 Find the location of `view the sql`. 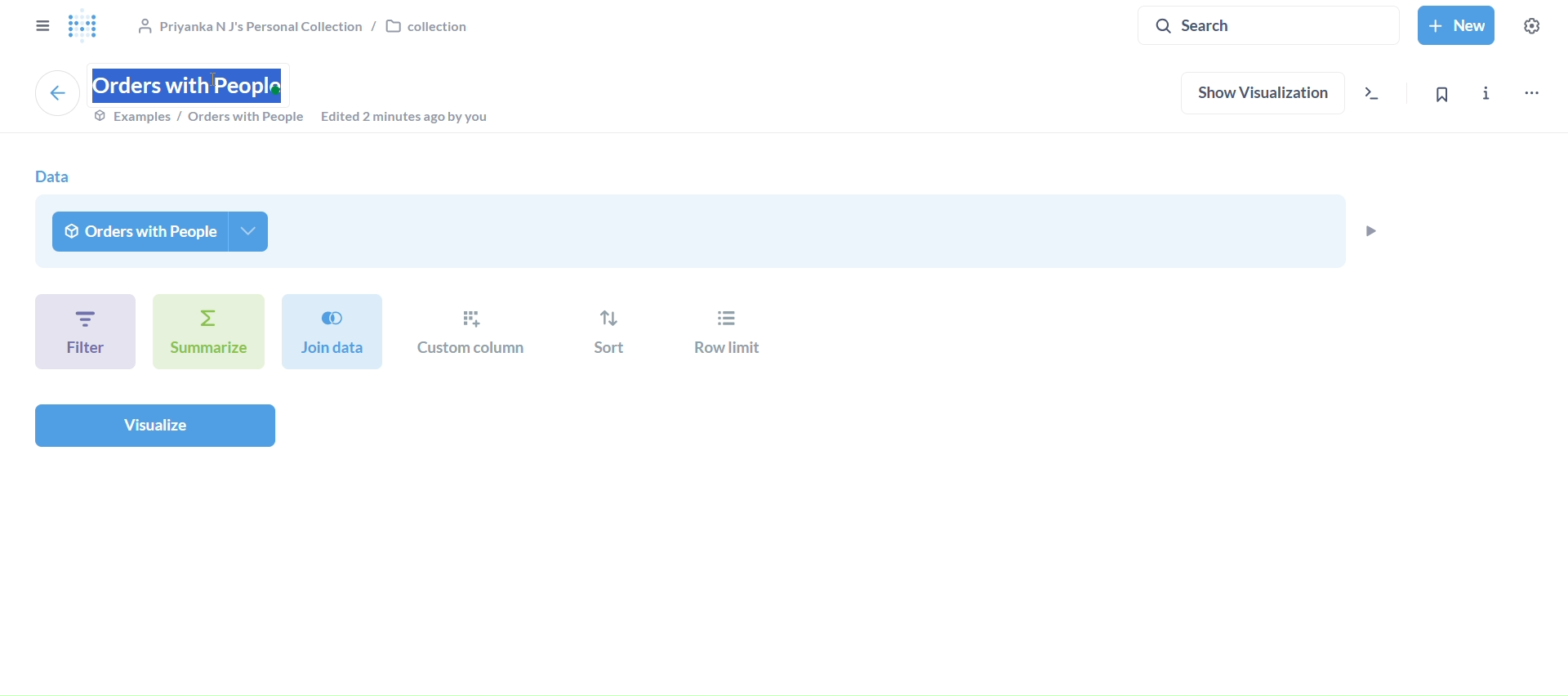

view the sql is located at coordinates (1378, 96).